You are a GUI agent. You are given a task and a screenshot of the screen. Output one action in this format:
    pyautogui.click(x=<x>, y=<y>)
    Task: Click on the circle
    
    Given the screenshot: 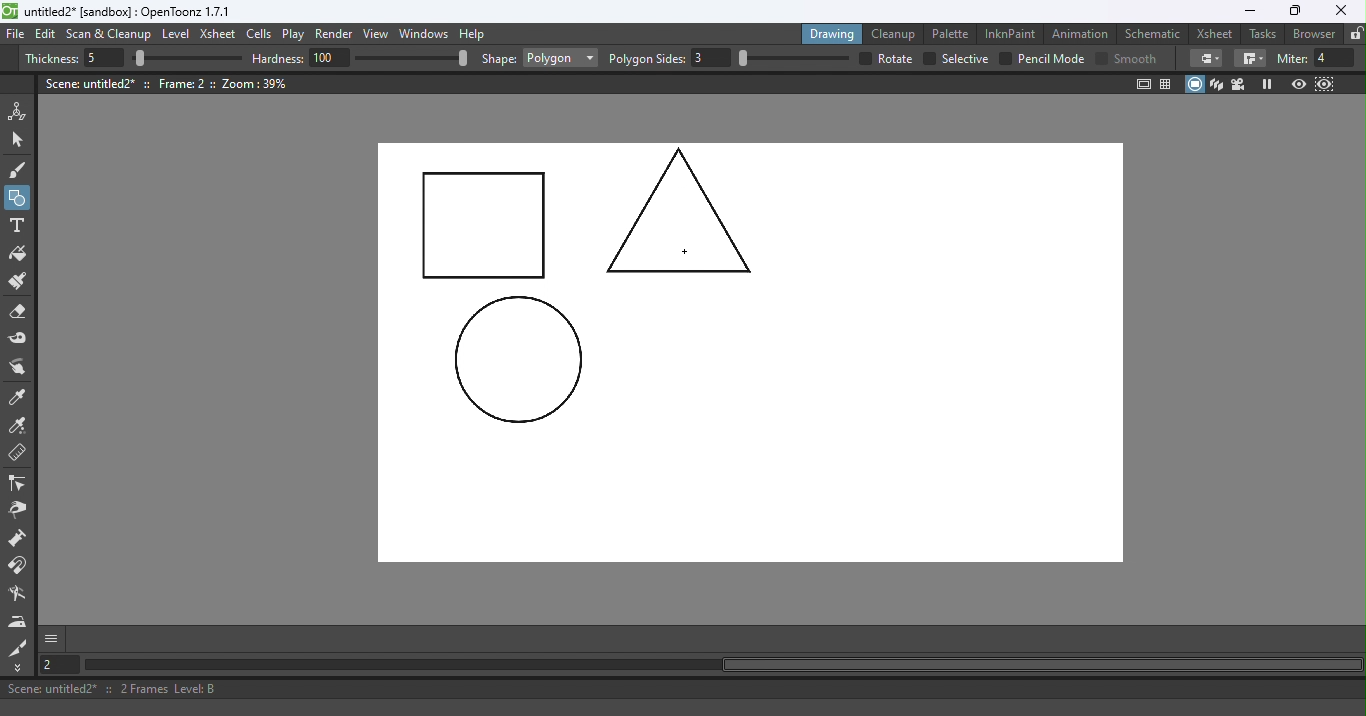 What is the action you would take?
    pyautogui.click(x=518, y=361)
    